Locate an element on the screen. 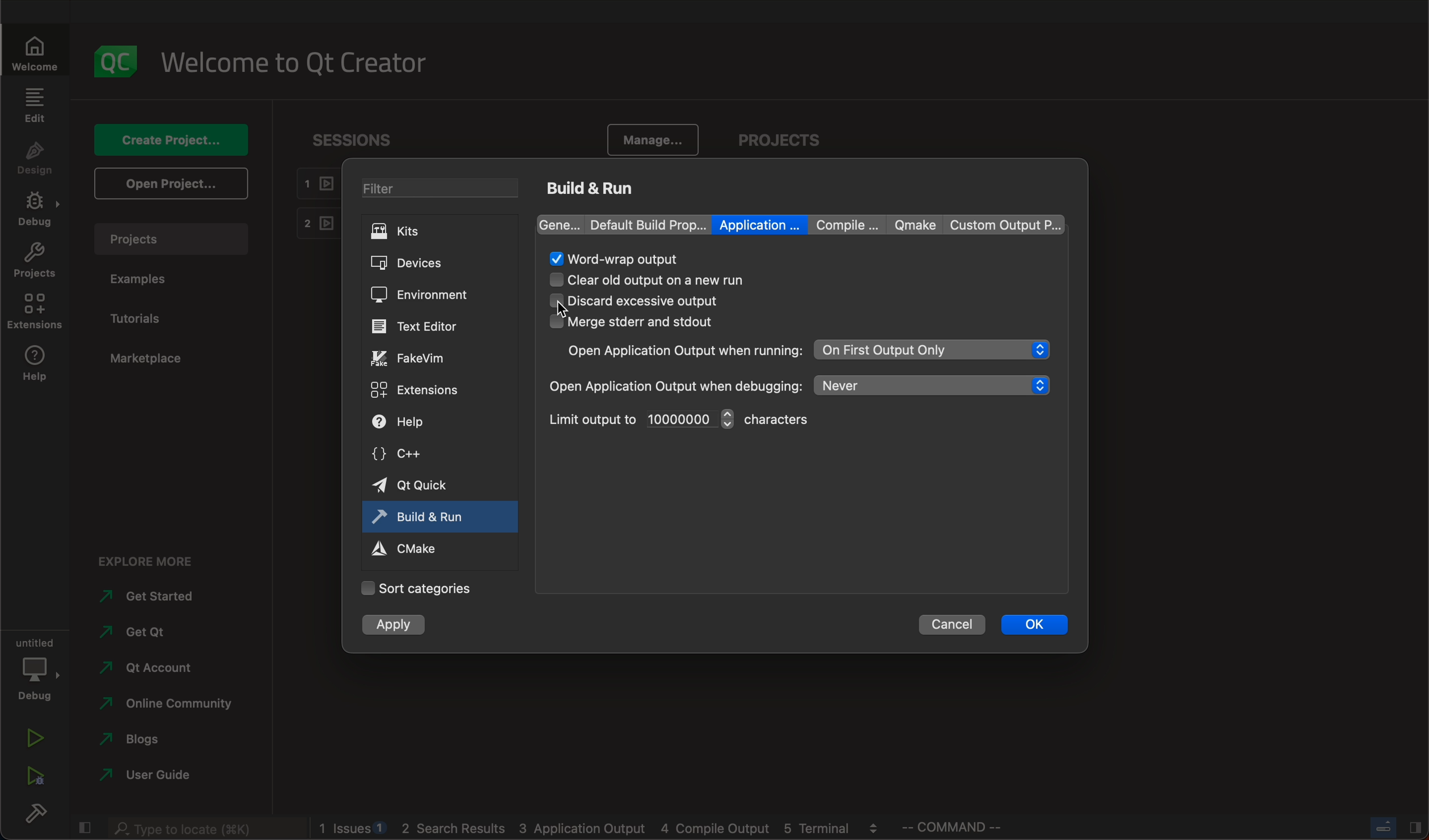  discard output is located at coordinates (644, 301).